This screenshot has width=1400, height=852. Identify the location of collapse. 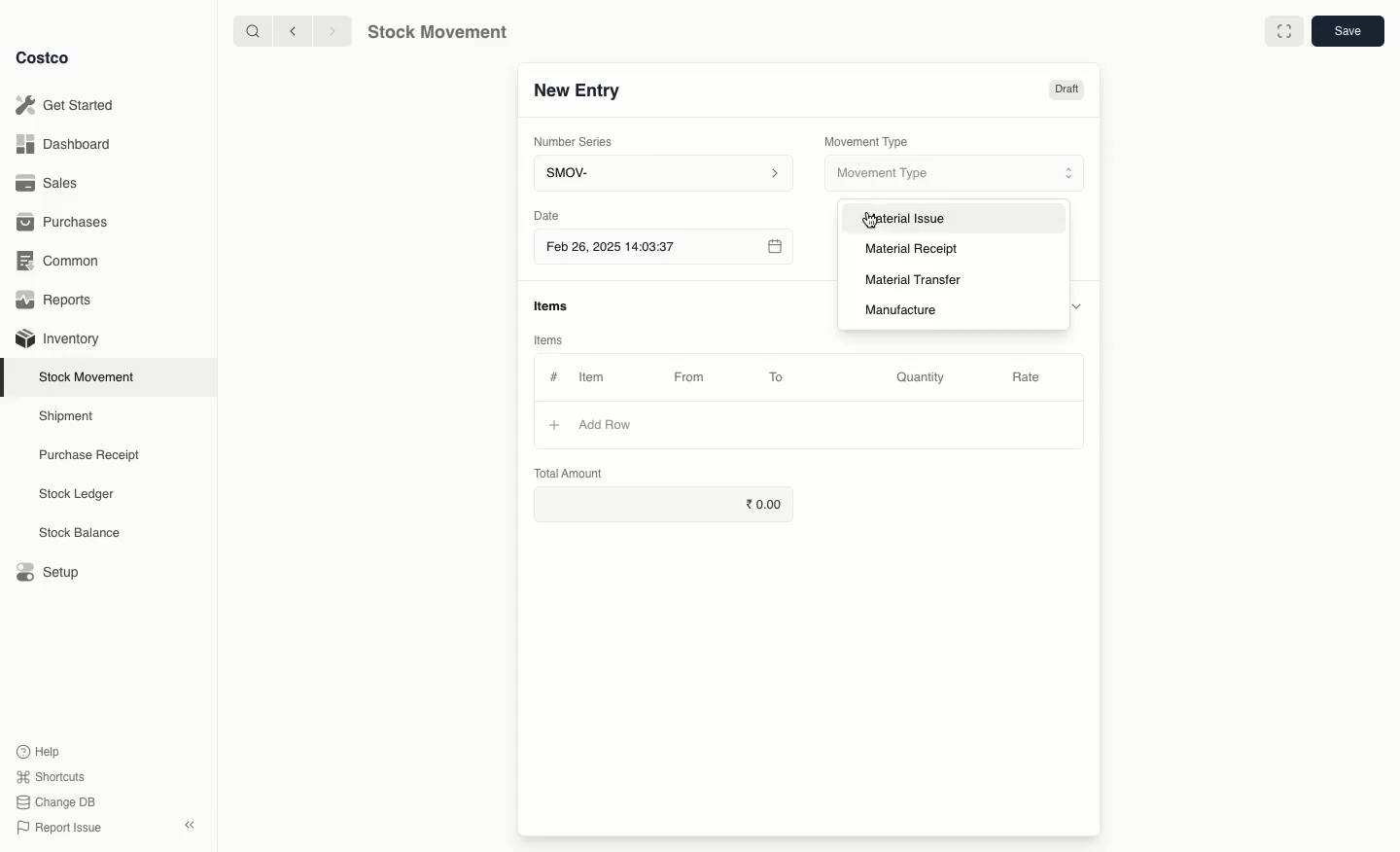
(189, 824).